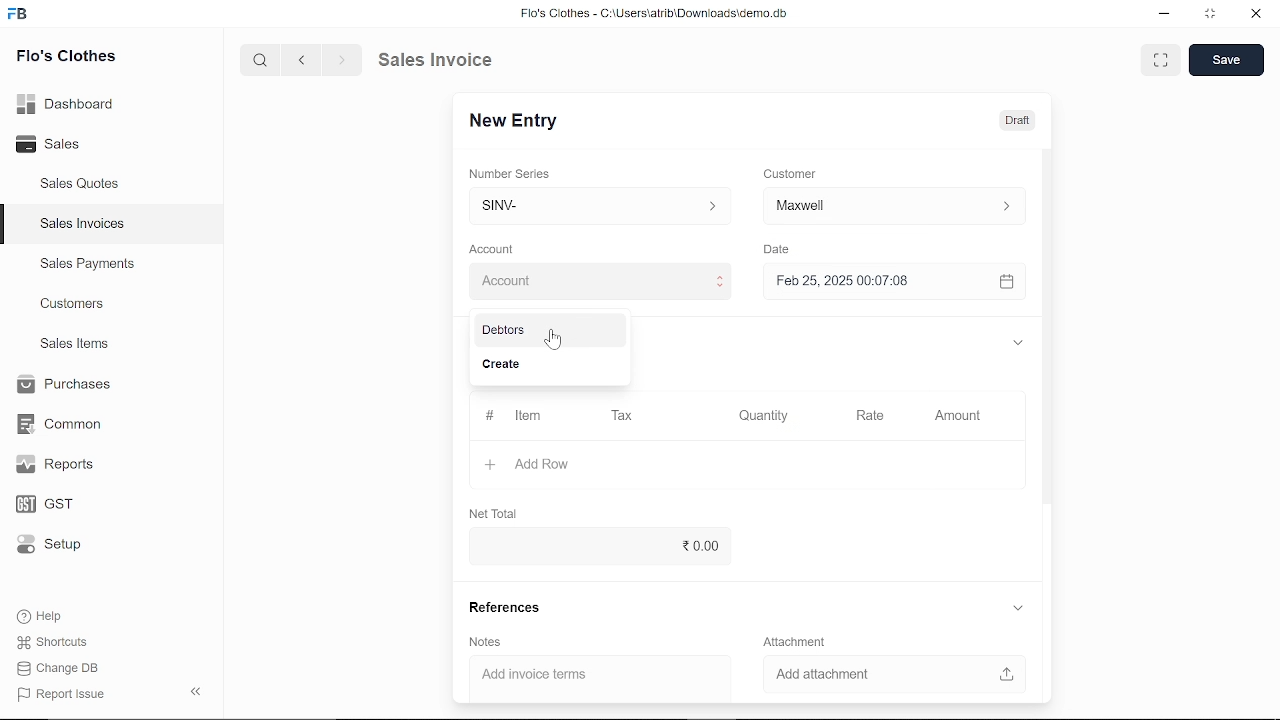 The image size is (1280, 720). What do you see at coordinates (1020, 344) in the screenshot?
I see `expand` at bounding box center [1020, 344].